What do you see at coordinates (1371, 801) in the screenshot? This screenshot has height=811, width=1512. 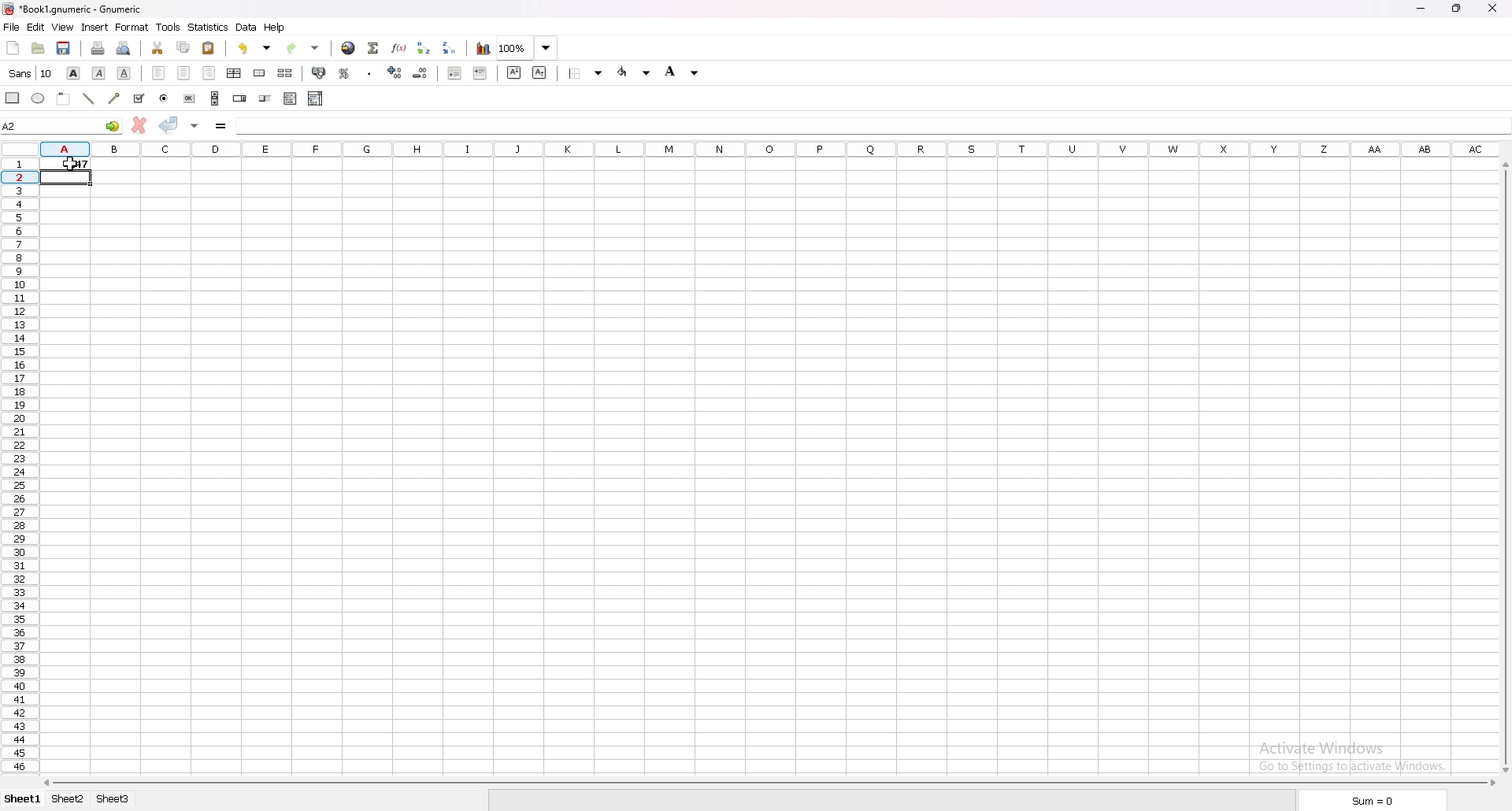 I see `sum` at bounding box center [1371, 801].